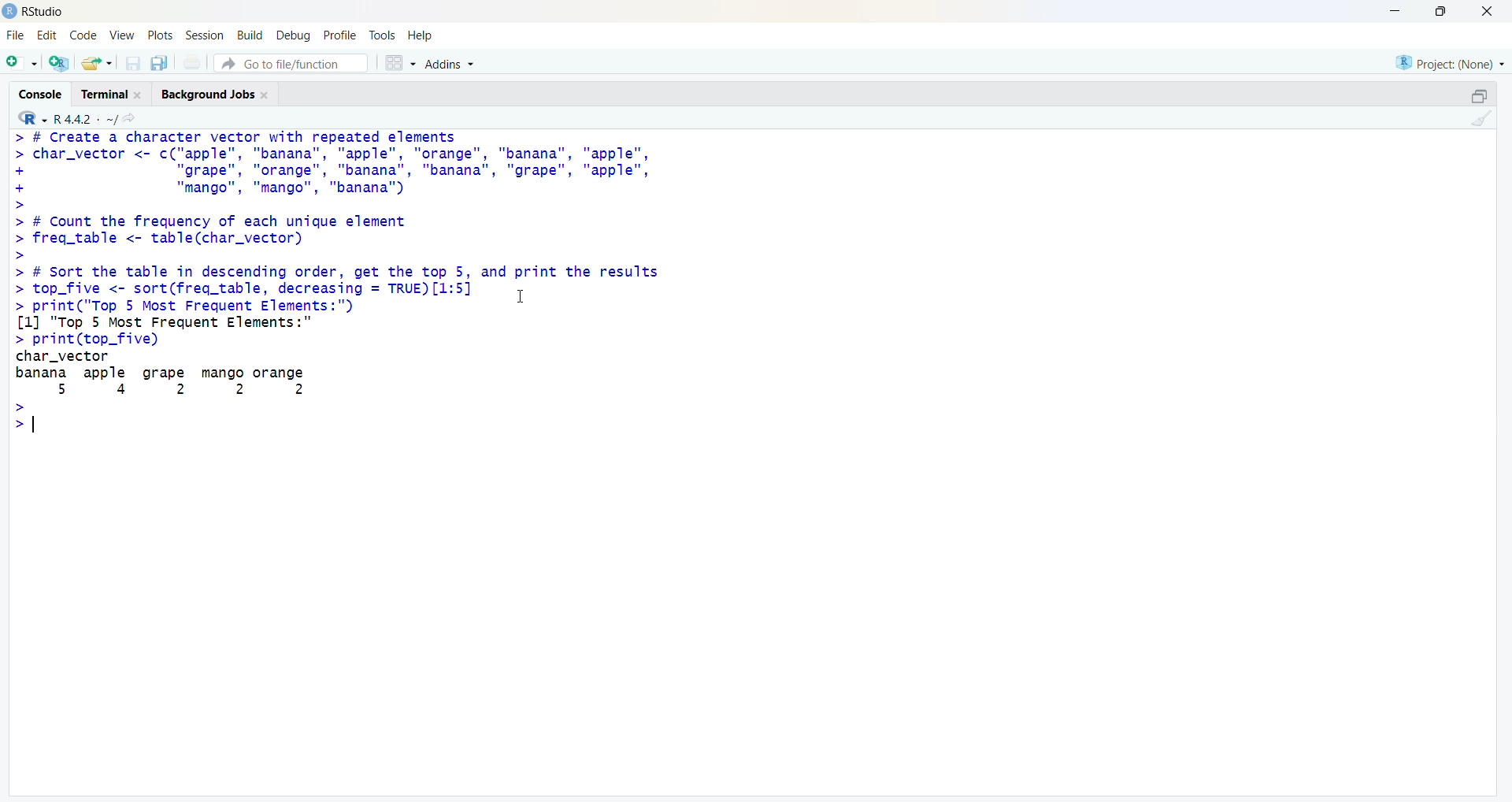  I want to click on View the current working directory, so click(133, 118).